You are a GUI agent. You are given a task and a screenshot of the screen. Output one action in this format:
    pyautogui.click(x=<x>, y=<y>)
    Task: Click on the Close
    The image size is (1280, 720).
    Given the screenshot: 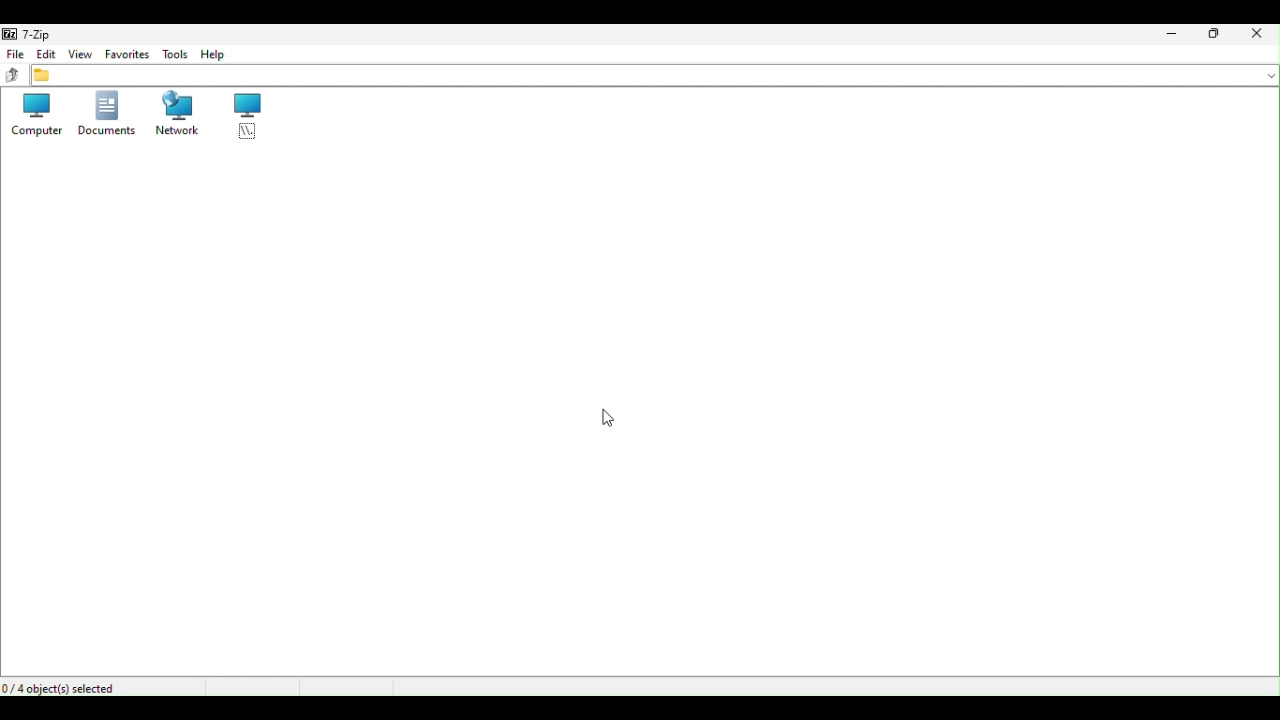 What is the action you would take?
    pyautogui.click(x=1259, y=34)
    